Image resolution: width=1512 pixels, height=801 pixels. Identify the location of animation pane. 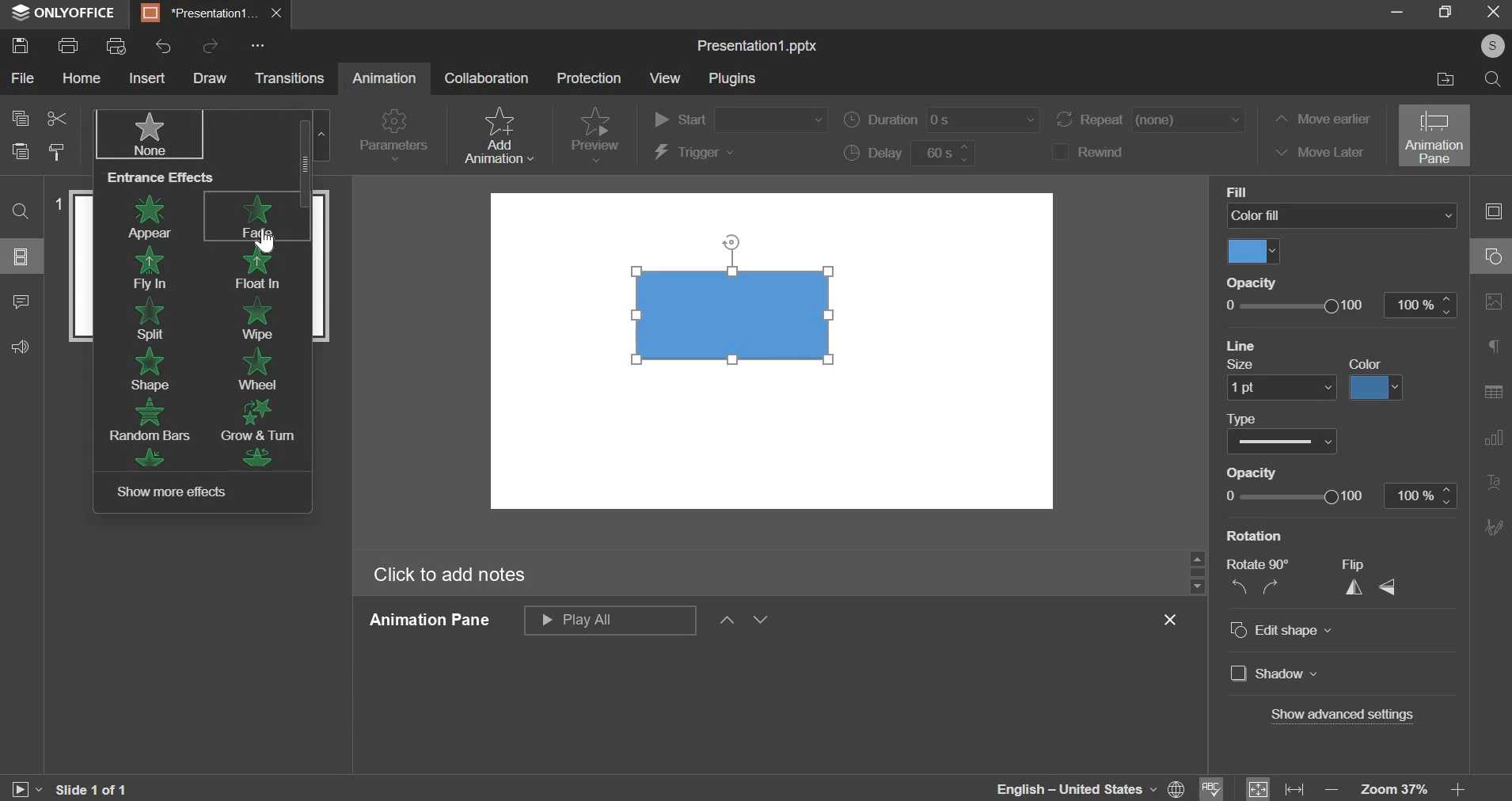
(1433, 135).